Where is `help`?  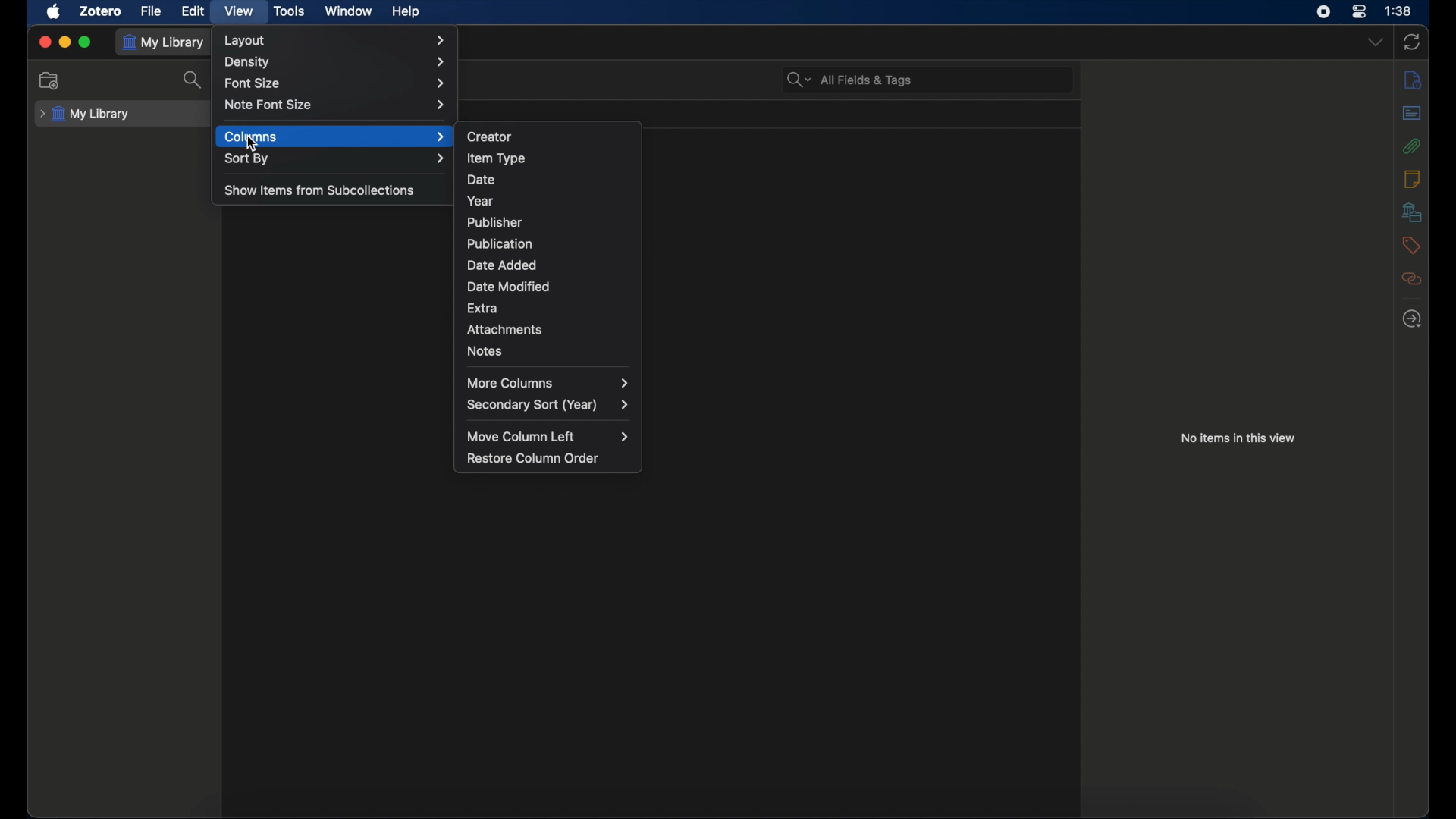 help is located at coordinates (405, 11).